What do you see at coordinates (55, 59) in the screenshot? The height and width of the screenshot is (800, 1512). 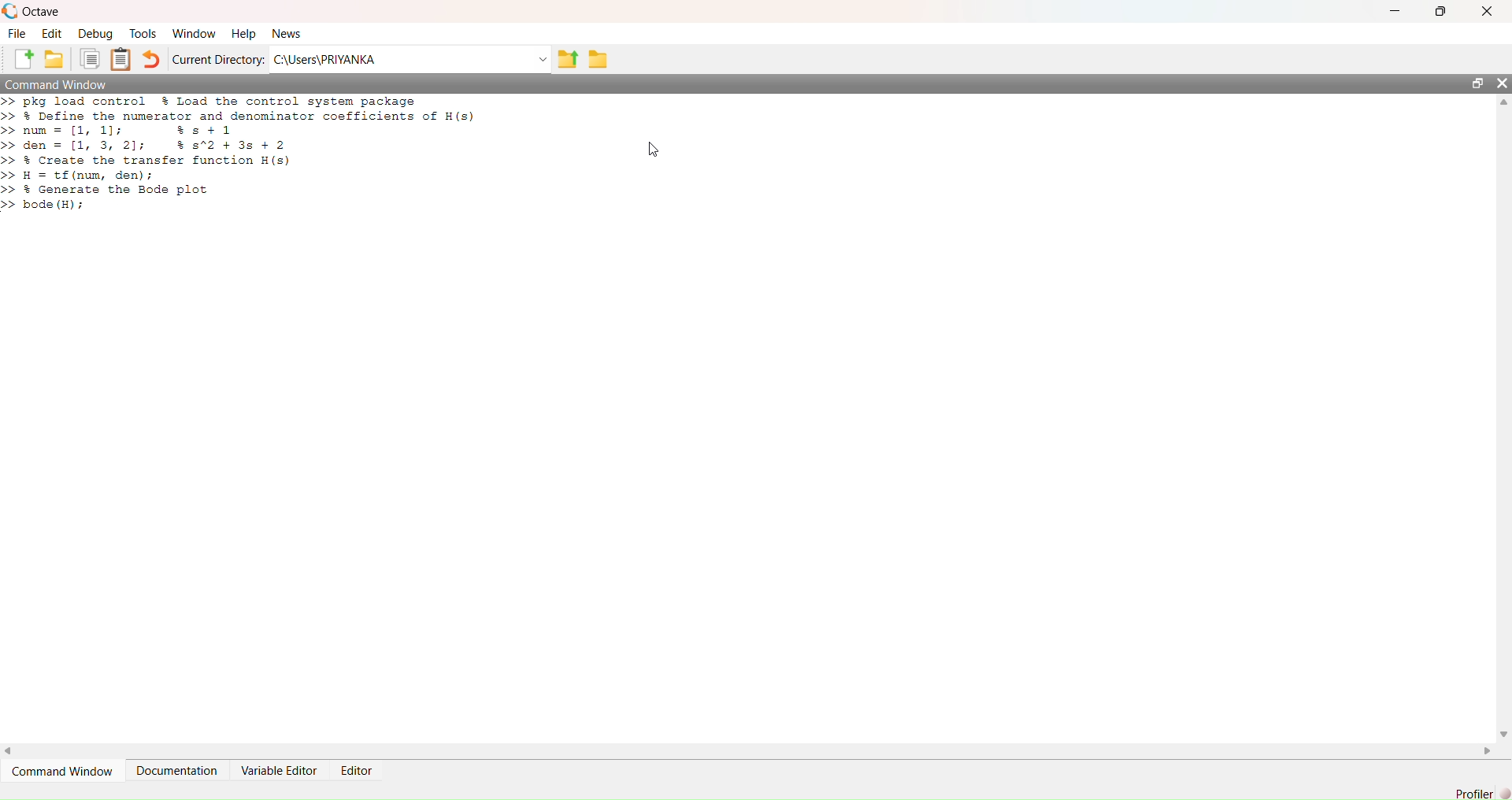 I see `Open an existing file in editor` at bounding box center [55, 59].